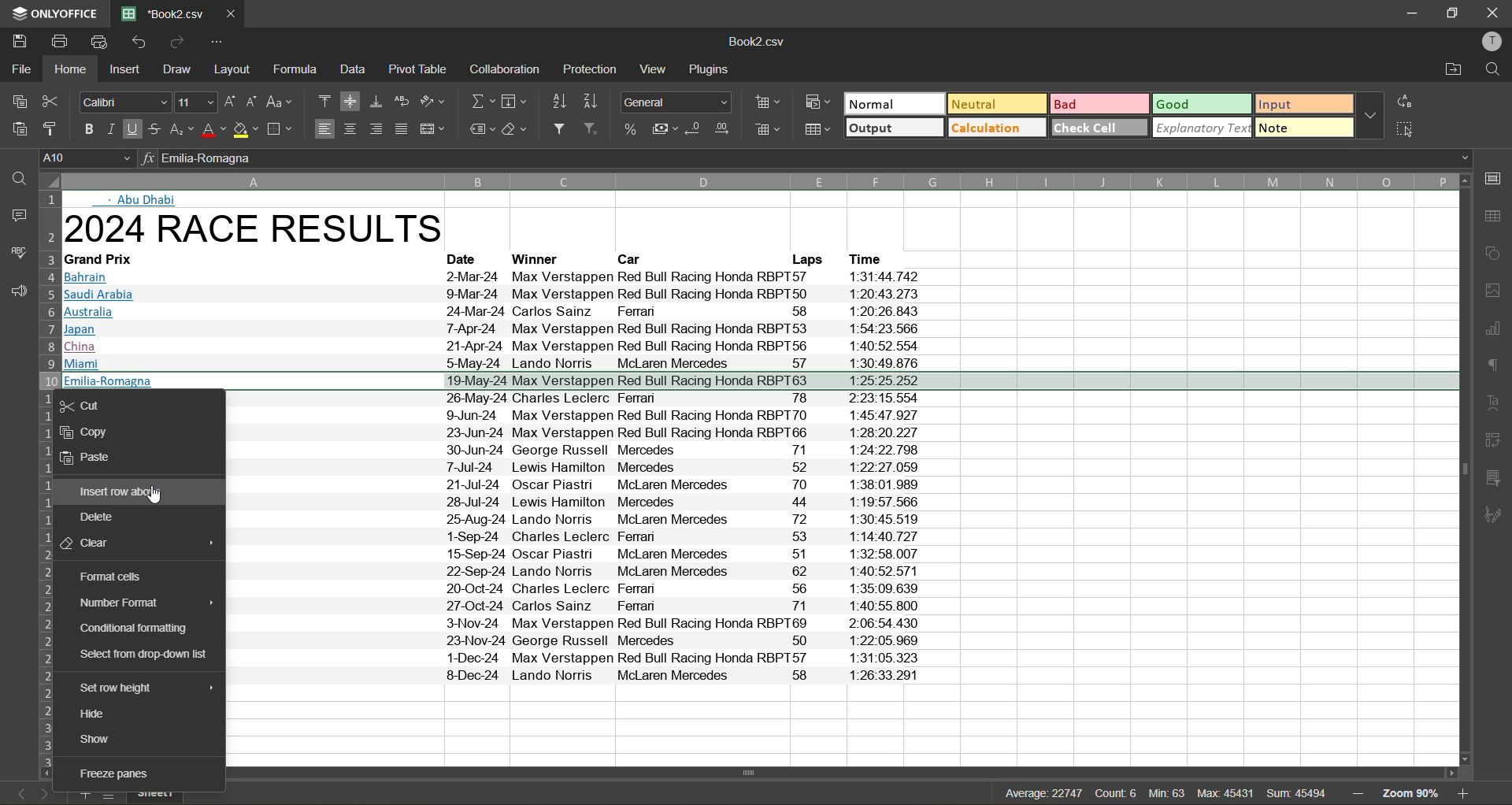 The height and width of the screenshot is (805, 1512). I want to click on more options, so click(1371, 116).